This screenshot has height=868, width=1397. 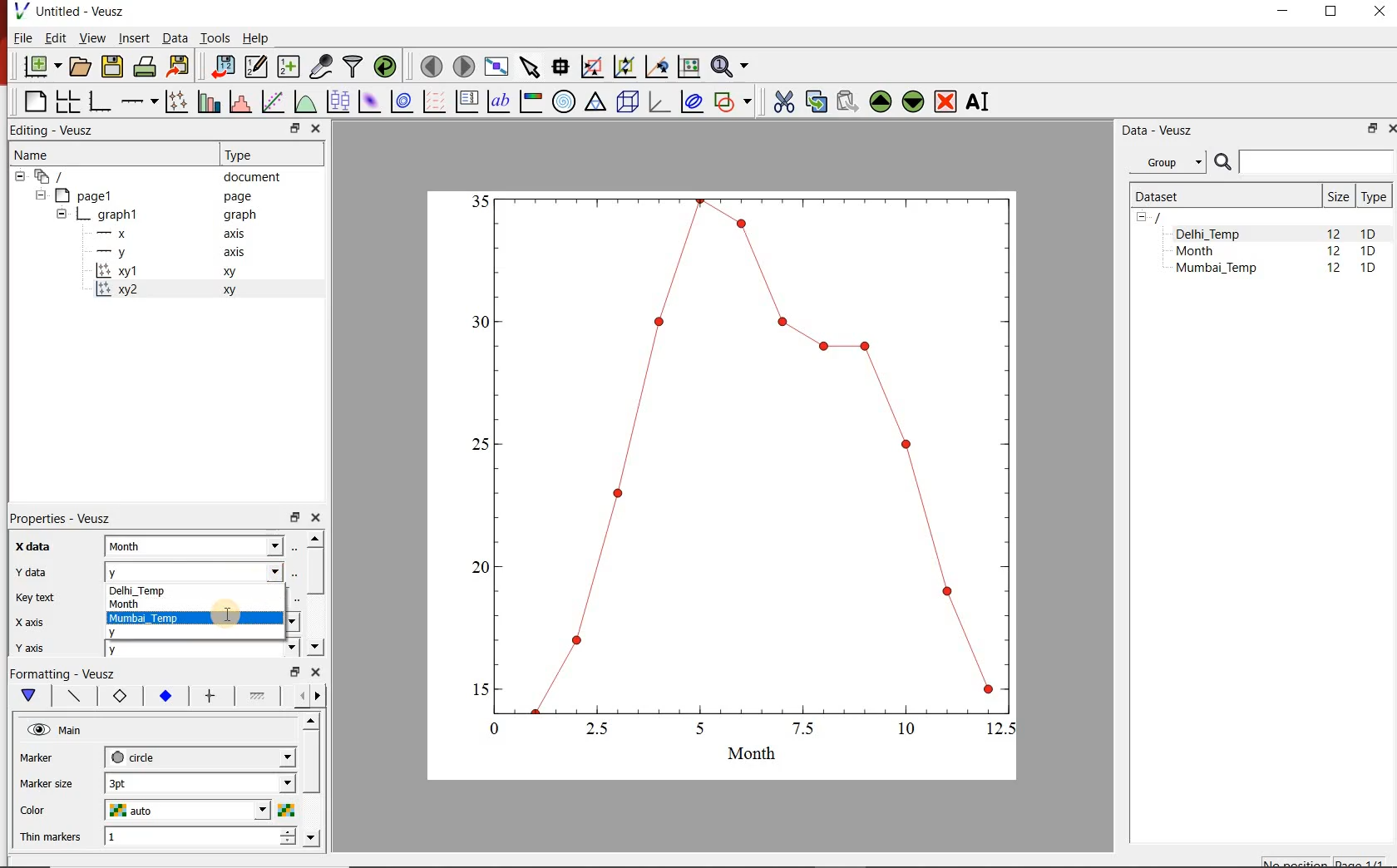 What do you see at coordinates (464, 67) in the screenshot?
I see `move to the next page` at bounding box center [464, 67].